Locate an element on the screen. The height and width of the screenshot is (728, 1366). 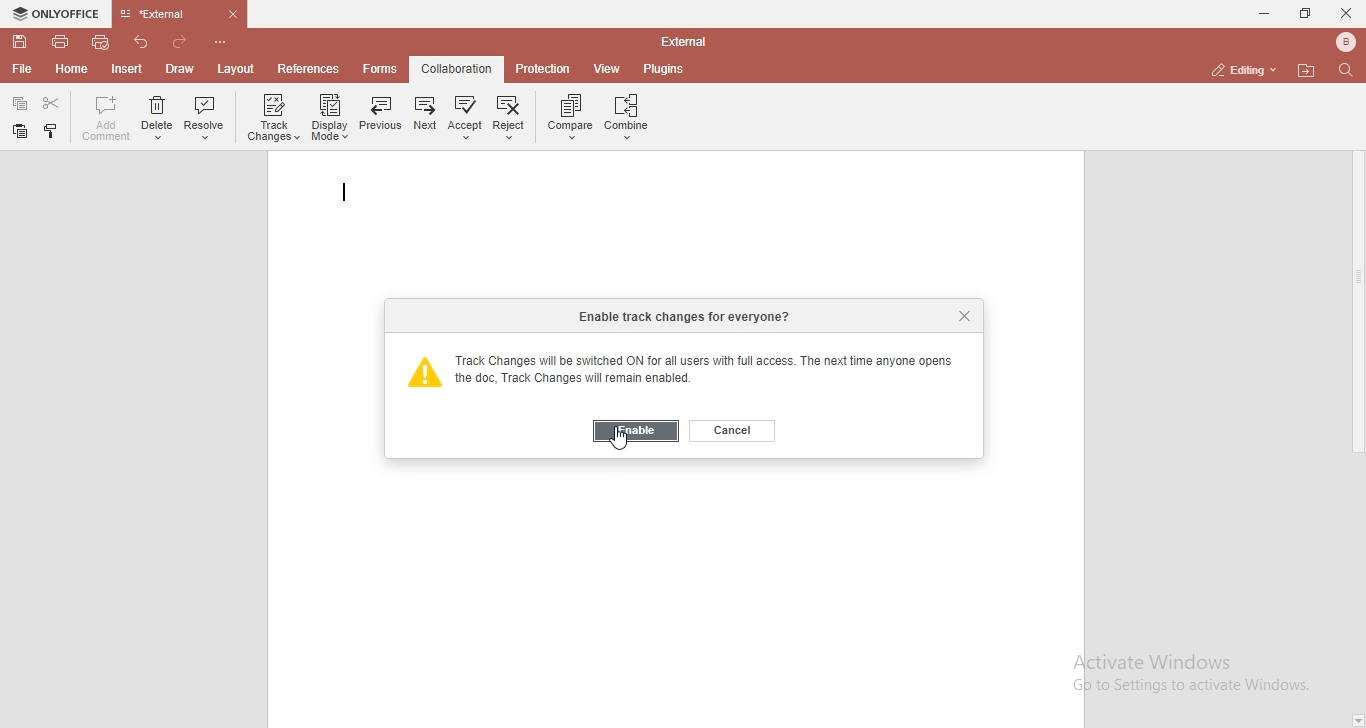
view is located at coordinates (609, 70).